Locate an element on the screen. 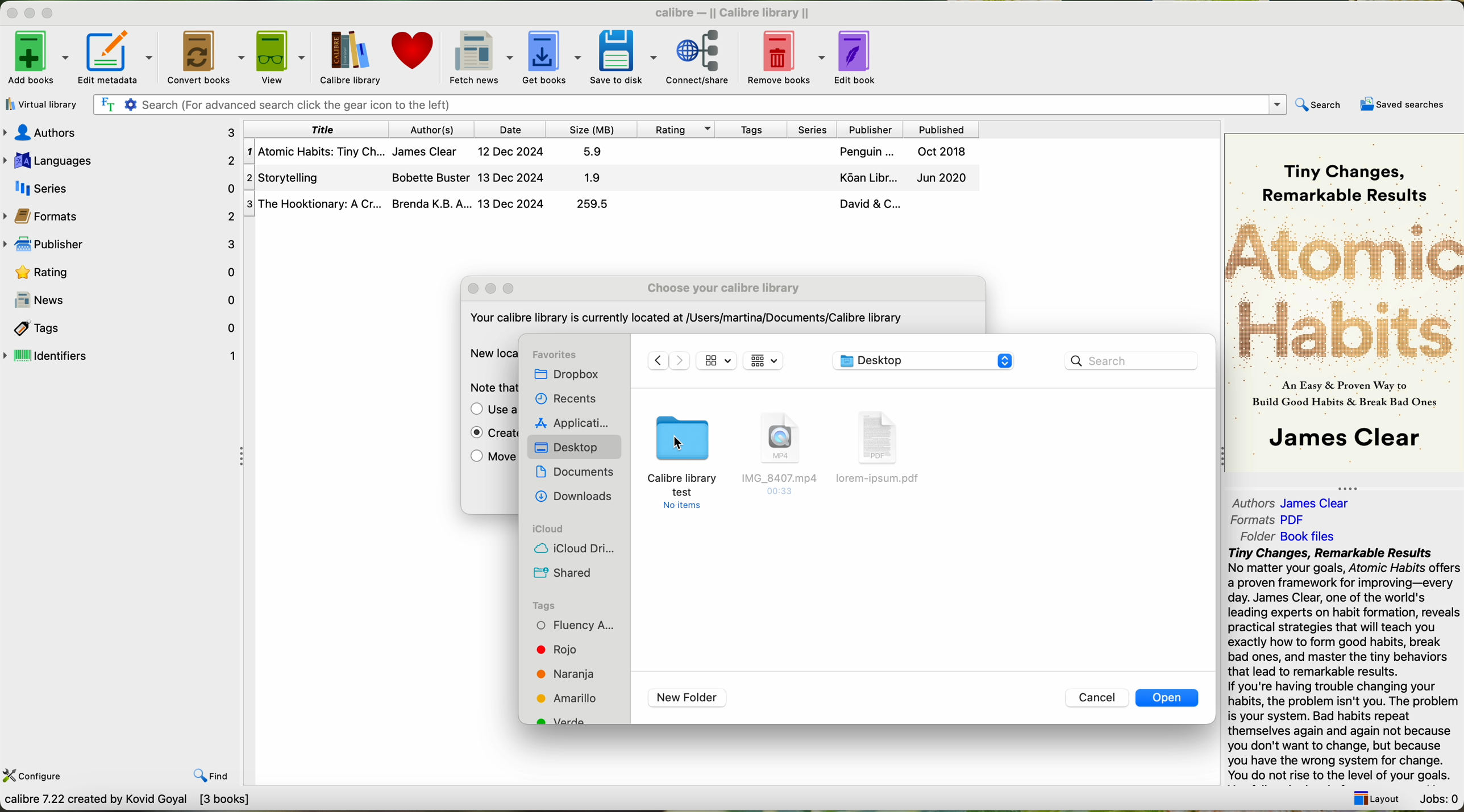  formats:PDF is located at coordinates (1272, 520).